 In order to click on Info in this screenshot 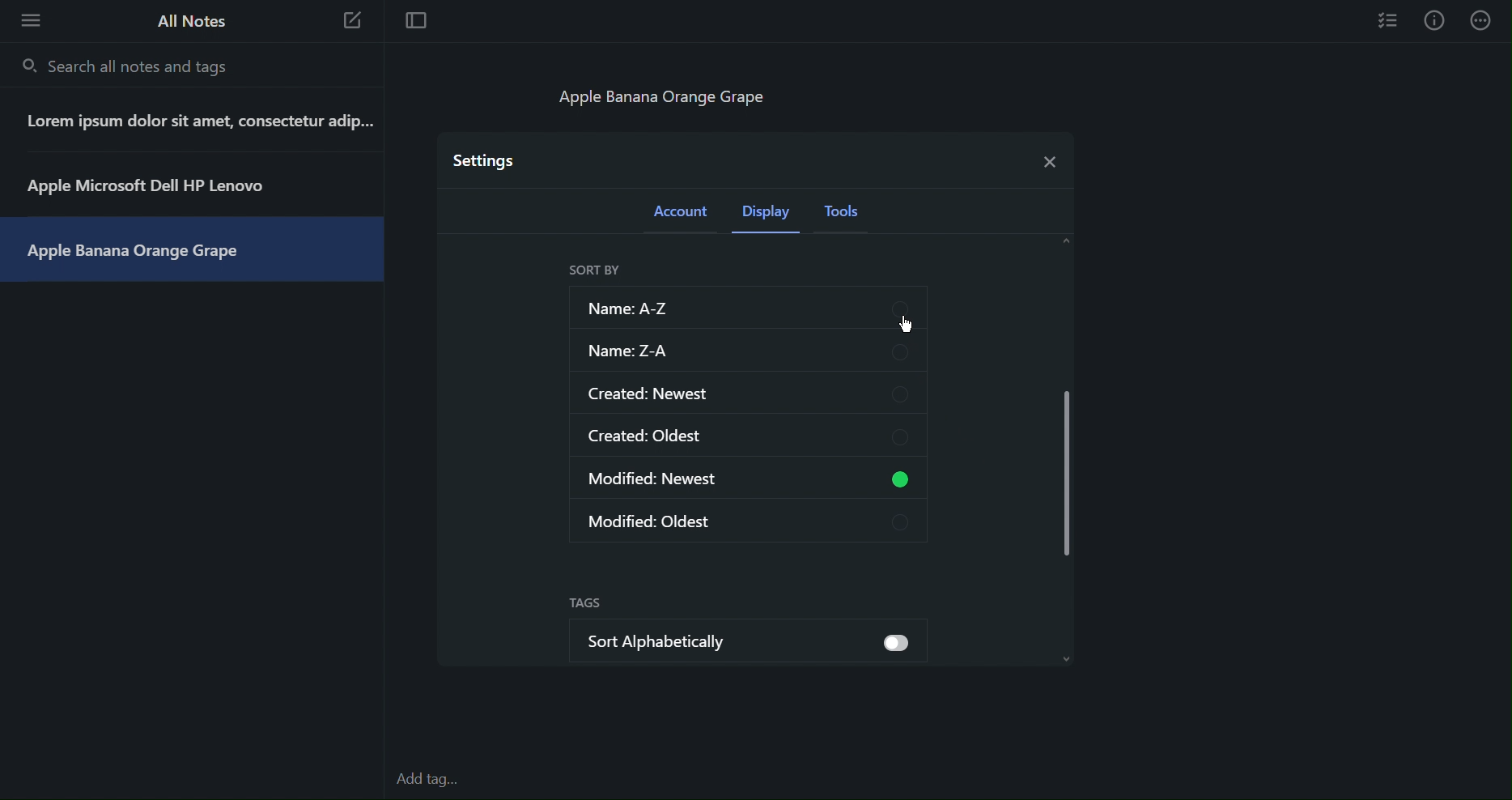, I will do `click(1434, 20)`.